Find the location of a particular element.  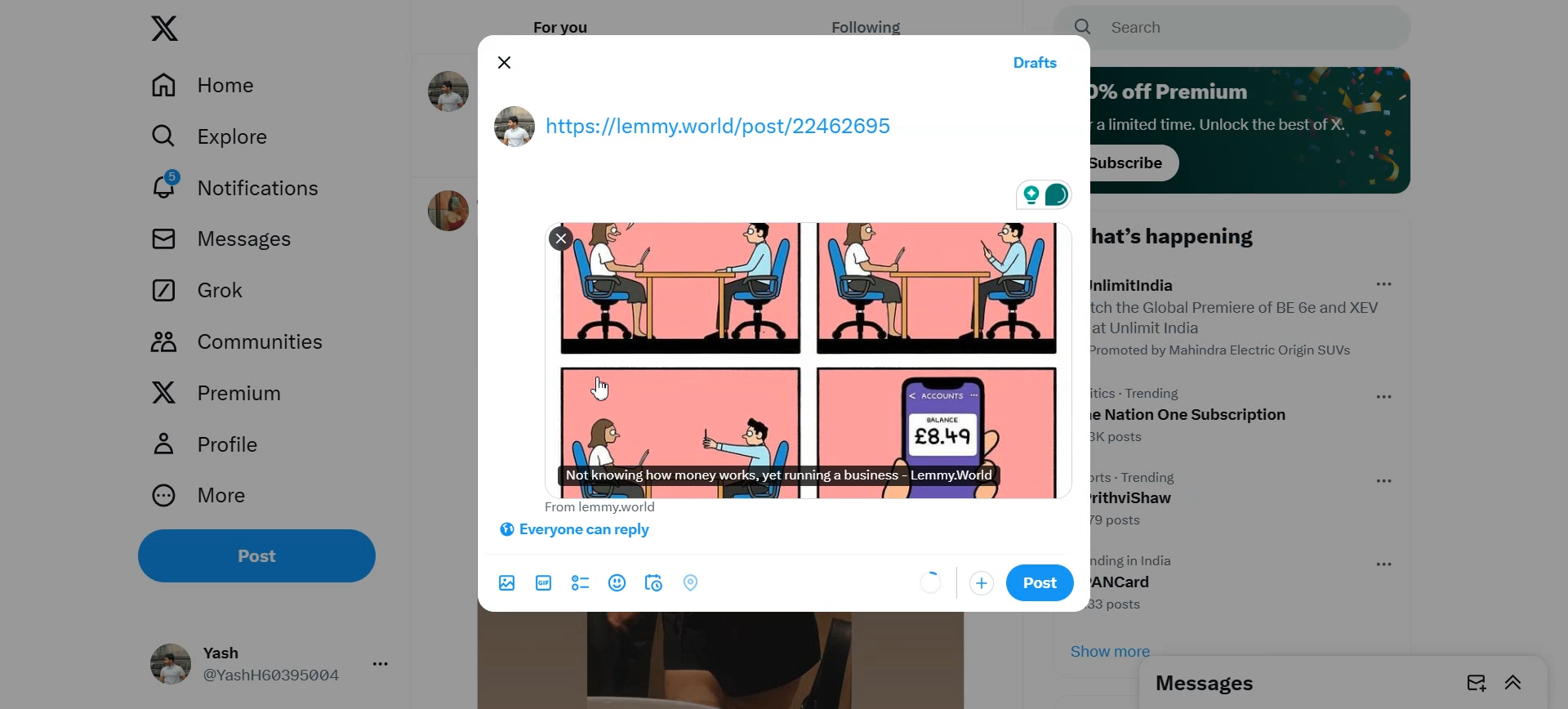

home  is located at coordinates (201, 87).